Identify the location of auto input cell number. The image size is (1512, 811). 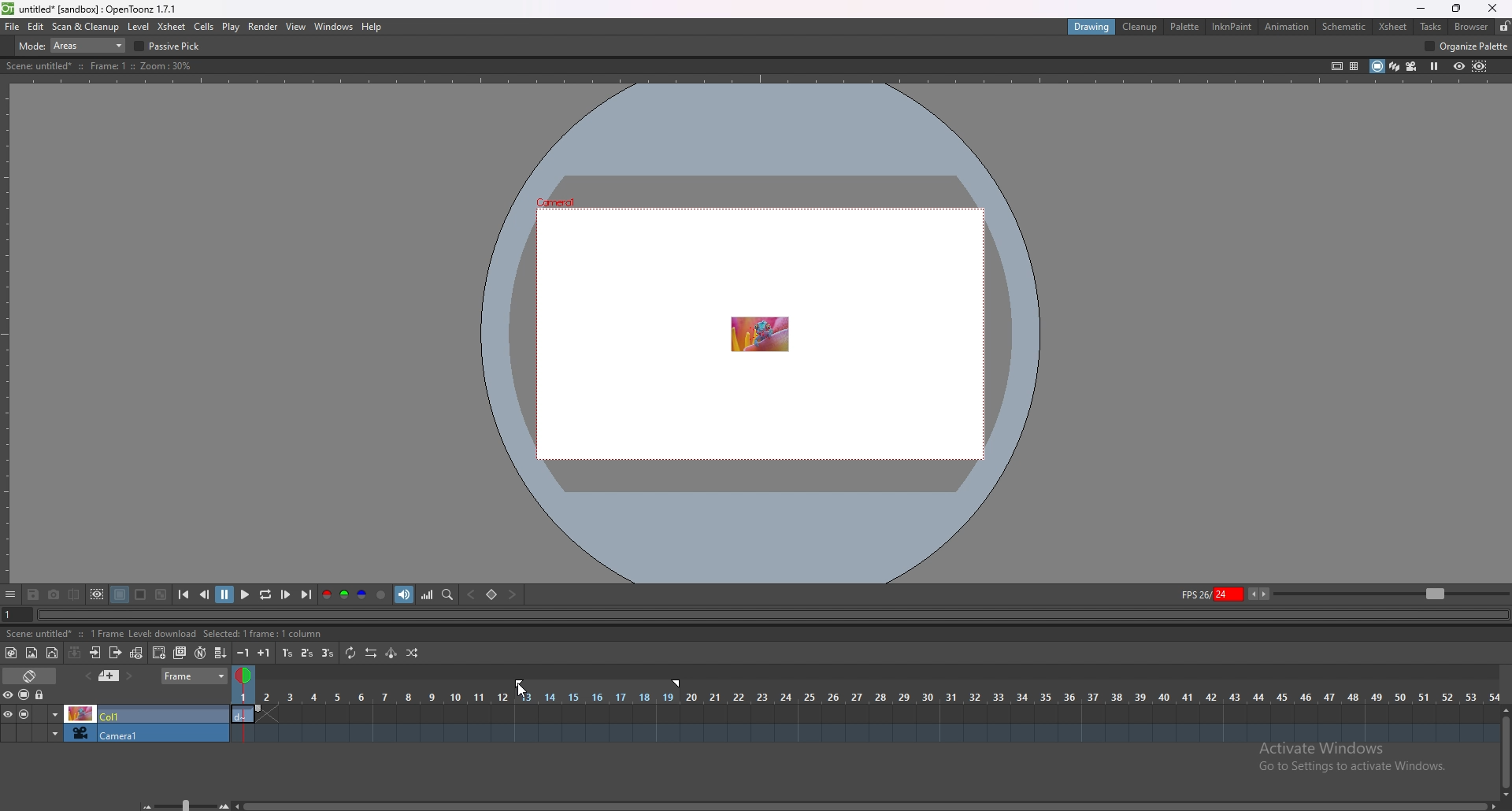
(200, 653).